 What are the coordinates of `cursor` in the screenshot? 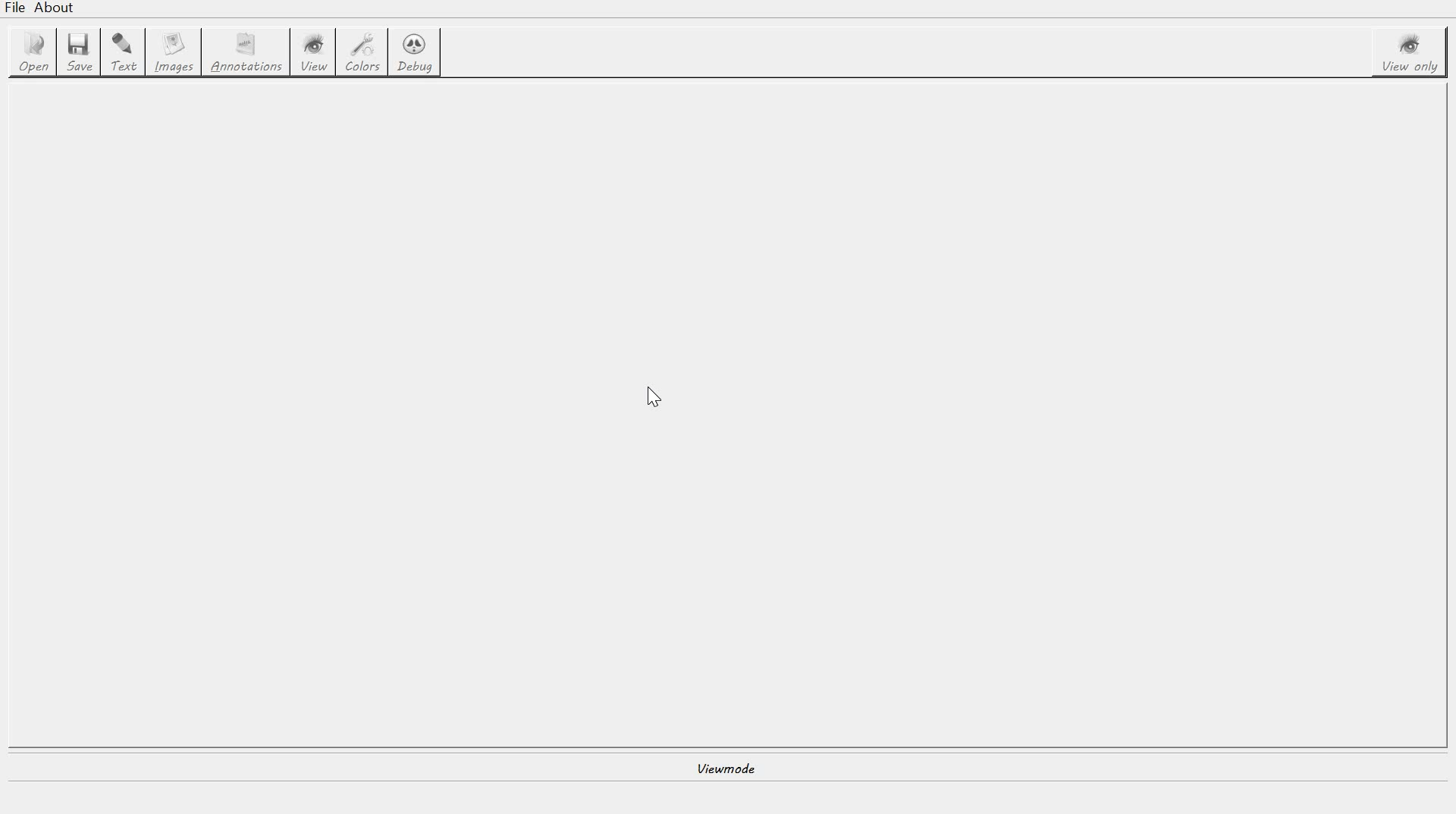 It's located at (650, 397).